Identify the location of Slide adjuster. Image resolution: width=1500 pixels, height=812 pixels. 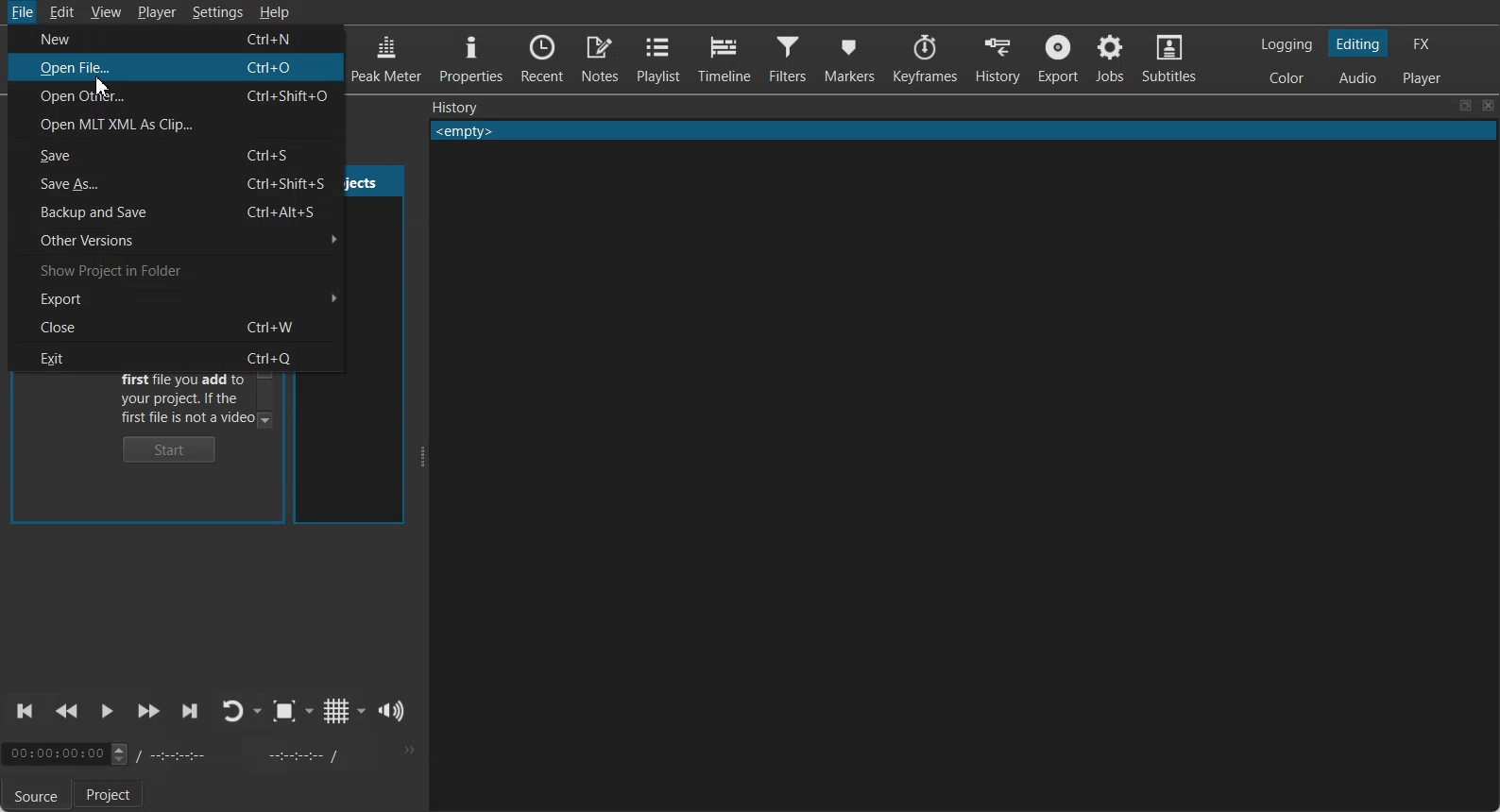
(420, 457).